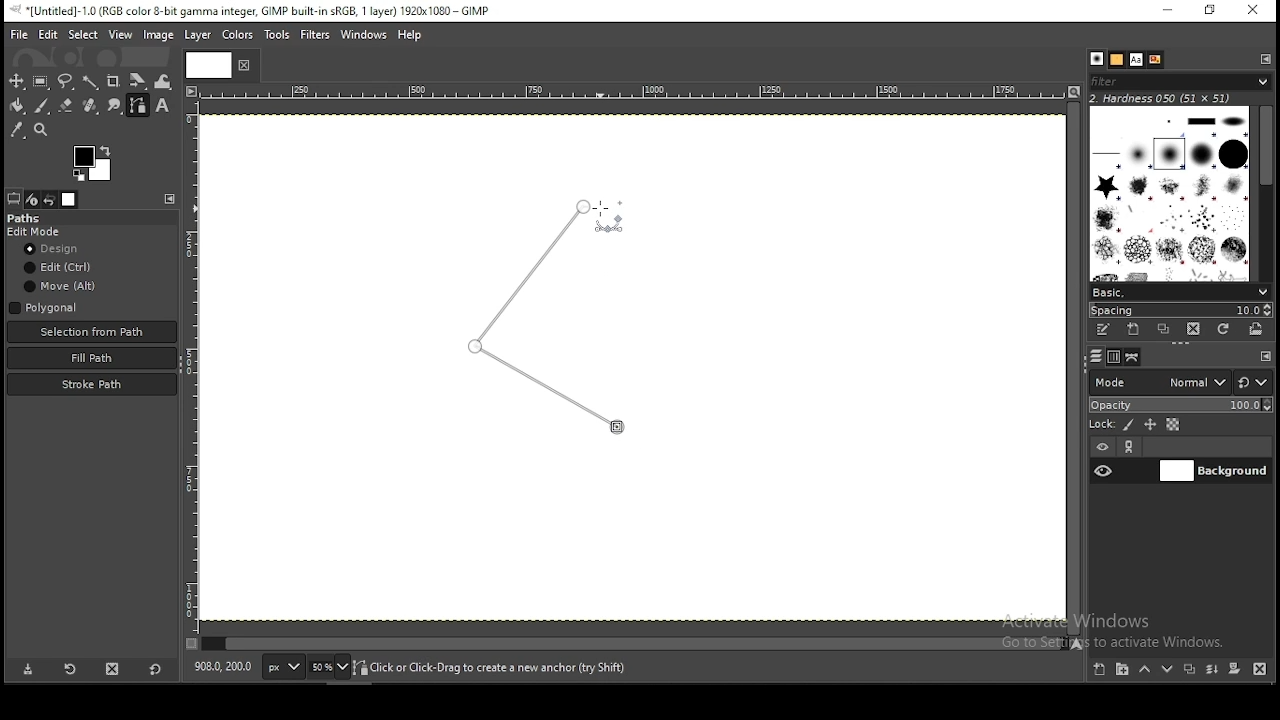 The image size is (1280, 720). Describe the element at coordinates (1174, 424) in the screenshot. I see `lock alpha channel` at that location.